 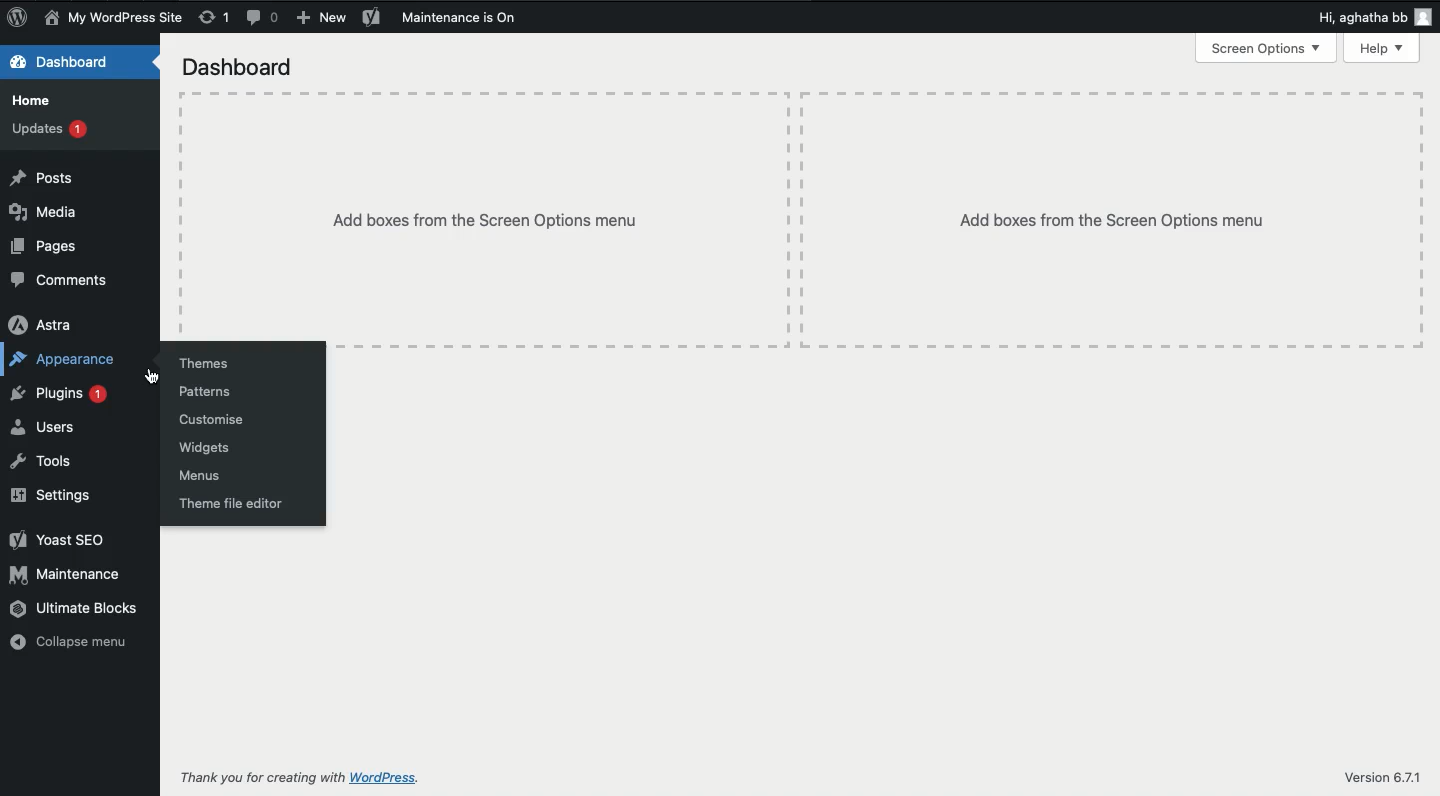 What do you see at coordinates (153, 375) in the screenshot?
I see `cursor` at bounding box center [153, 375].